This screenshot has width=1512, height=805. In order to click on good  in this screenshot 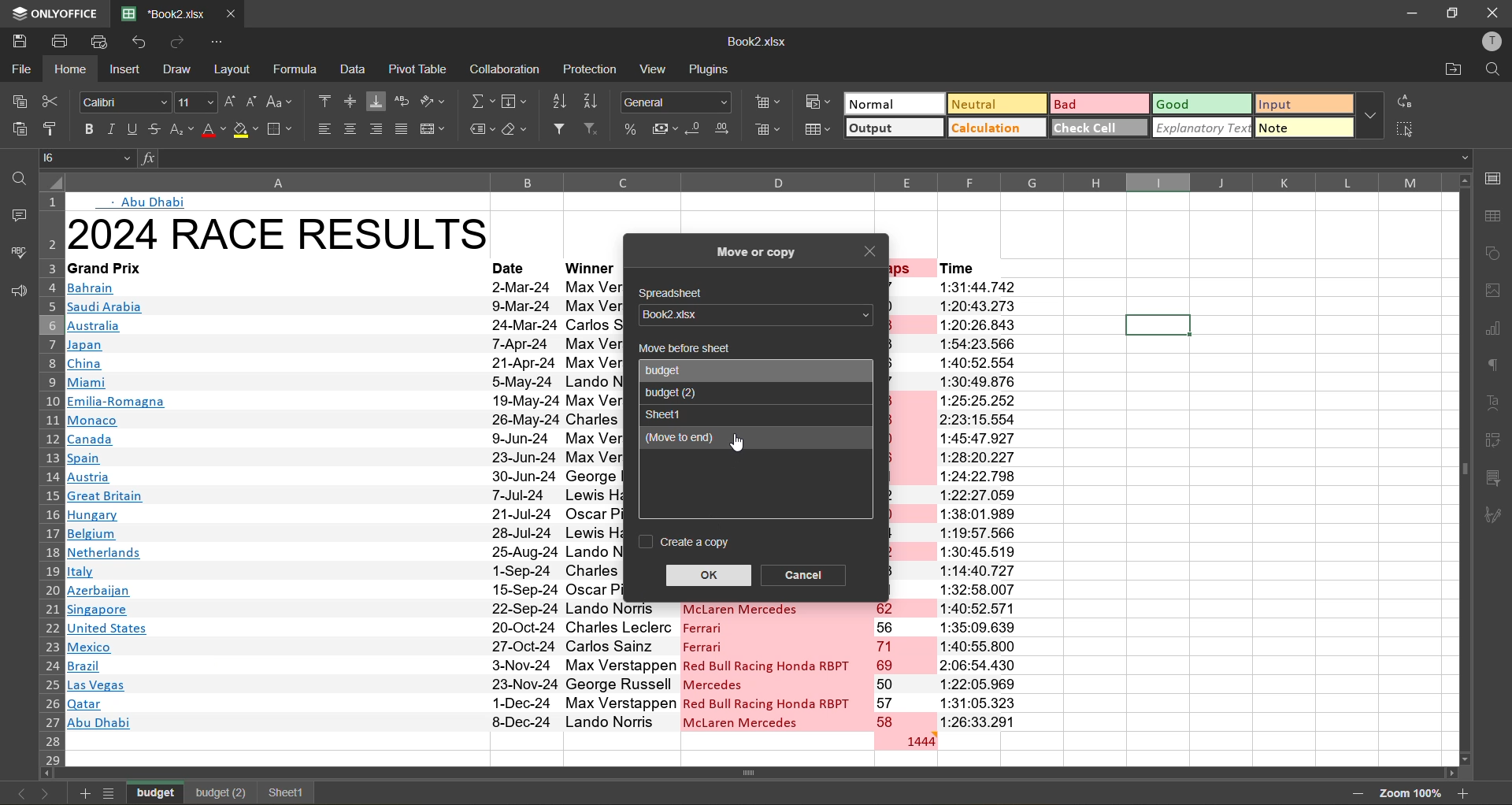, I will do `click(1203, 105)`.